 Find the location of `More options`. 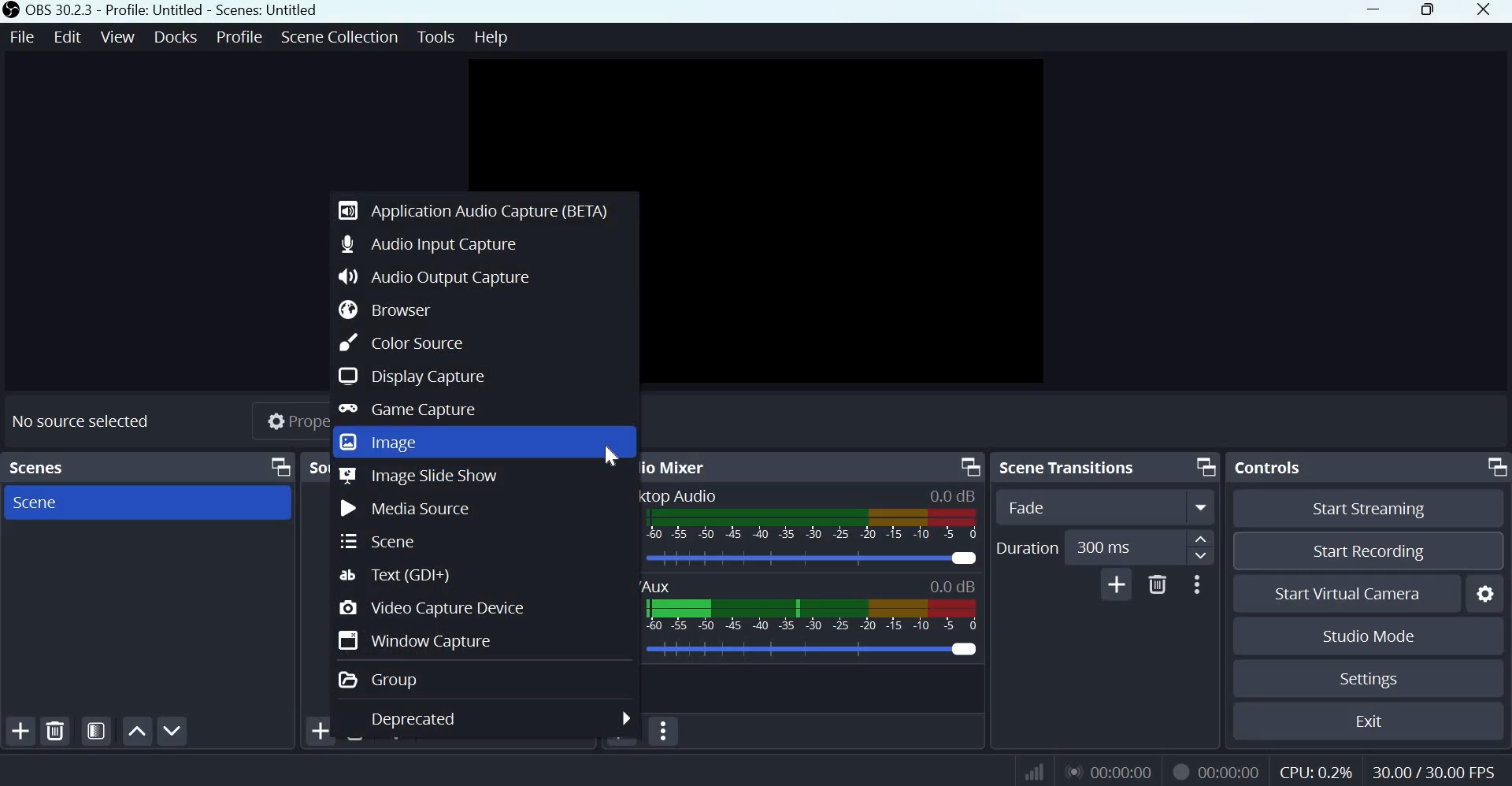

More options is located at coordinates (1202, 508).